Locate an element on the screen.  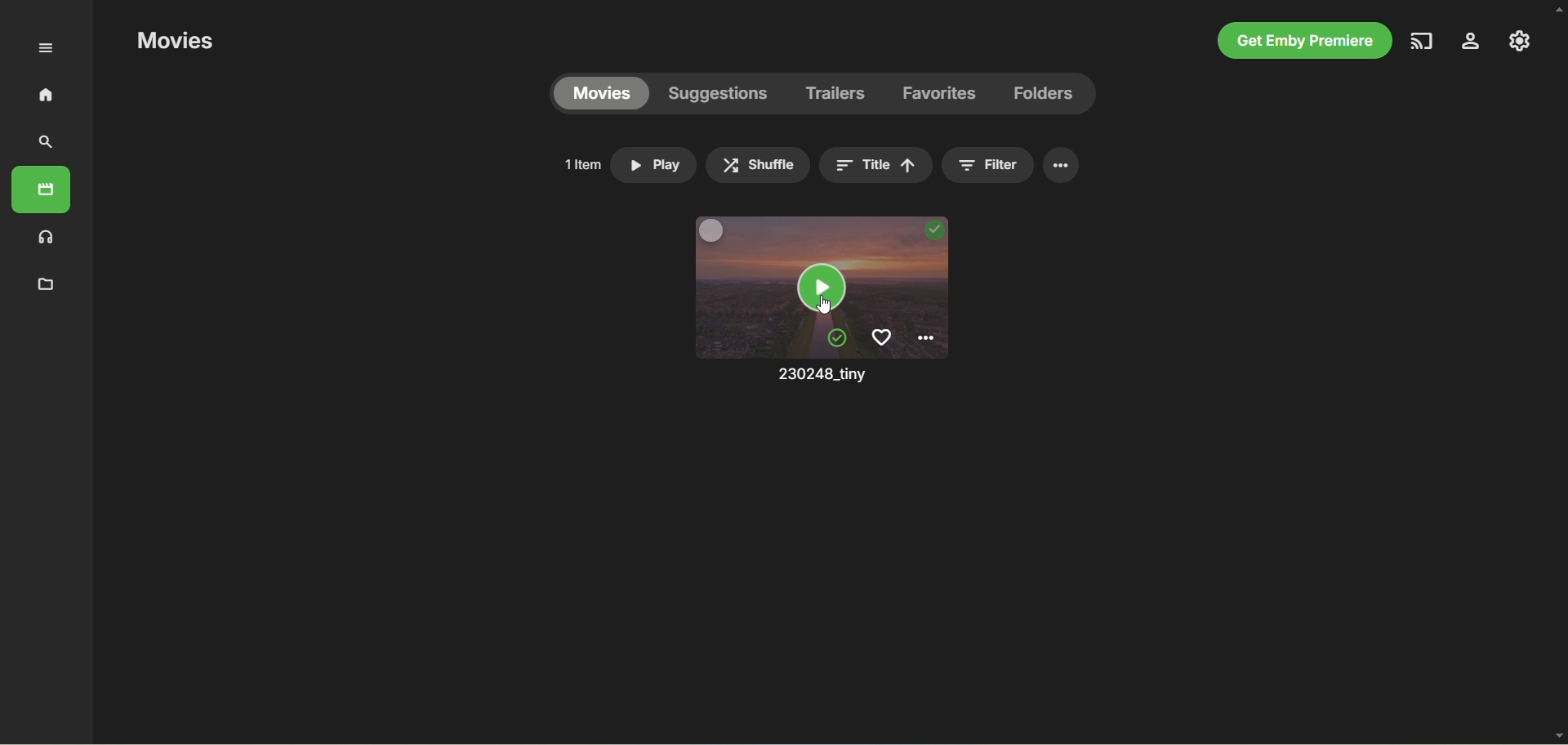
movies is located at coordinates (42, 190).